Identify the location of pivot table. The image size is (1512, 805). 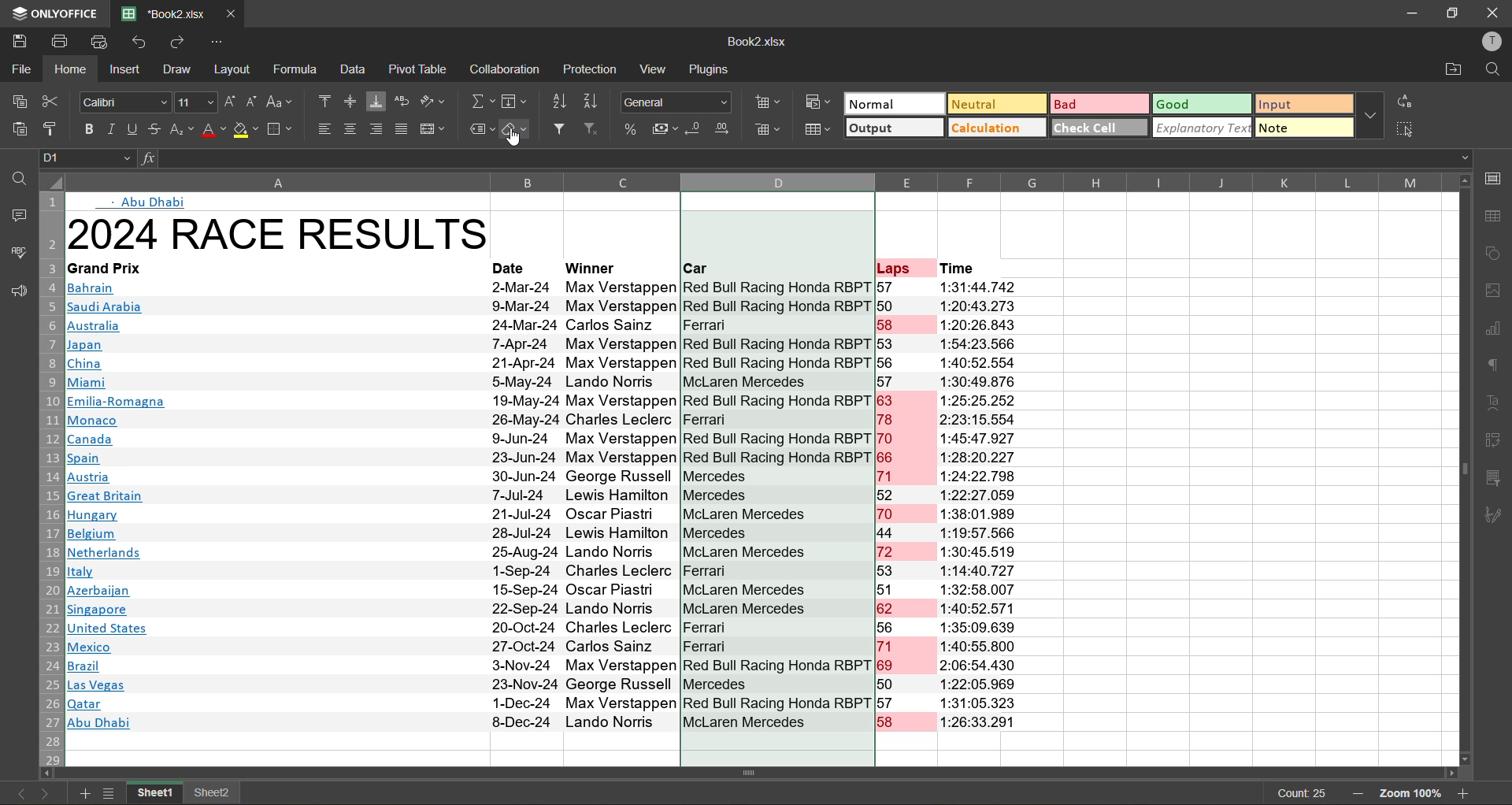
(419, 69).